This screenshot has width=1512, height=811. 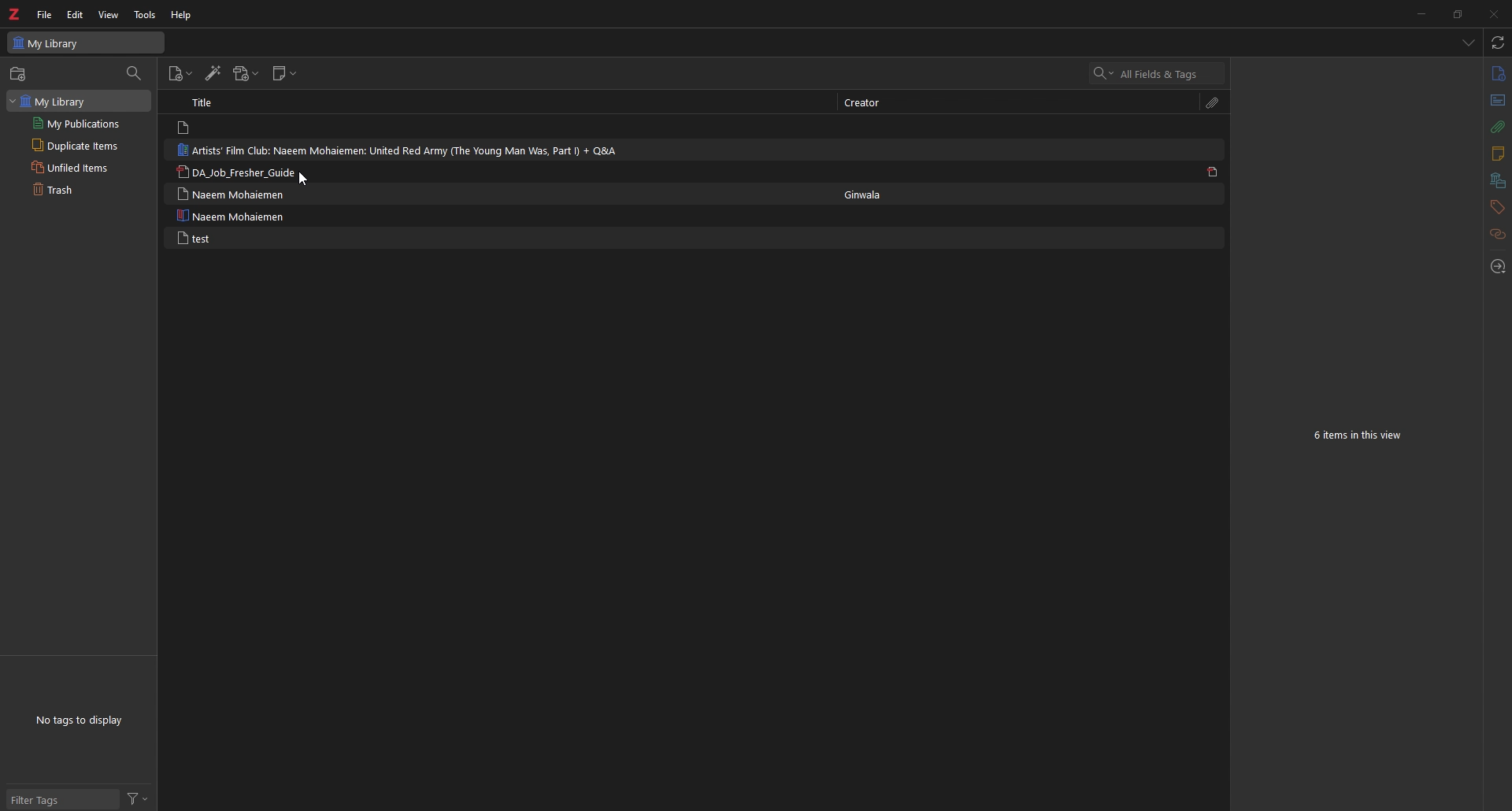 I want to click on Cursor, so click(x=302, y=179).